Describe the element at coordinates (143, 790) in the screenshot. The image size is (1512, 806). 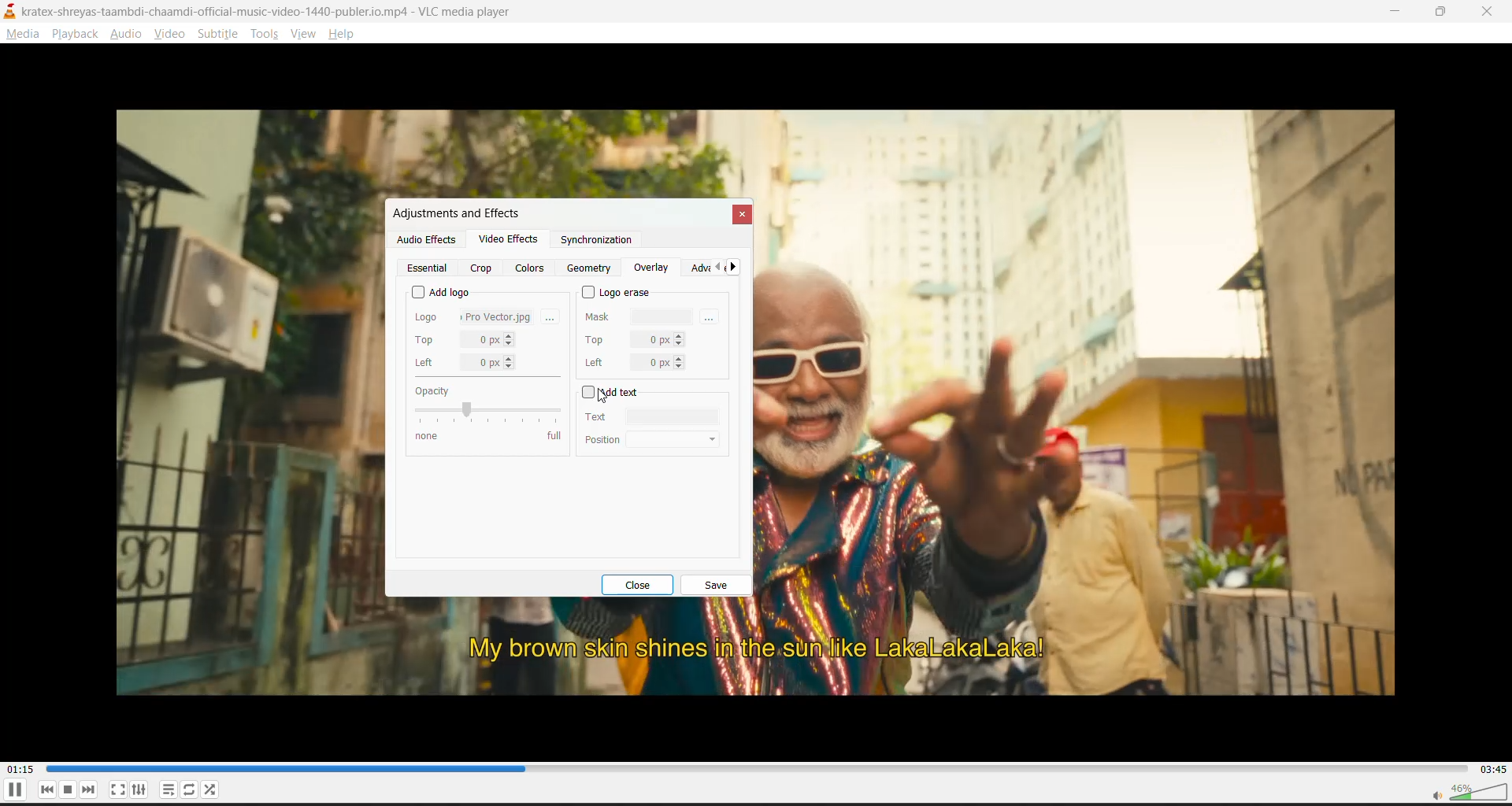
I see `settings` at that location.